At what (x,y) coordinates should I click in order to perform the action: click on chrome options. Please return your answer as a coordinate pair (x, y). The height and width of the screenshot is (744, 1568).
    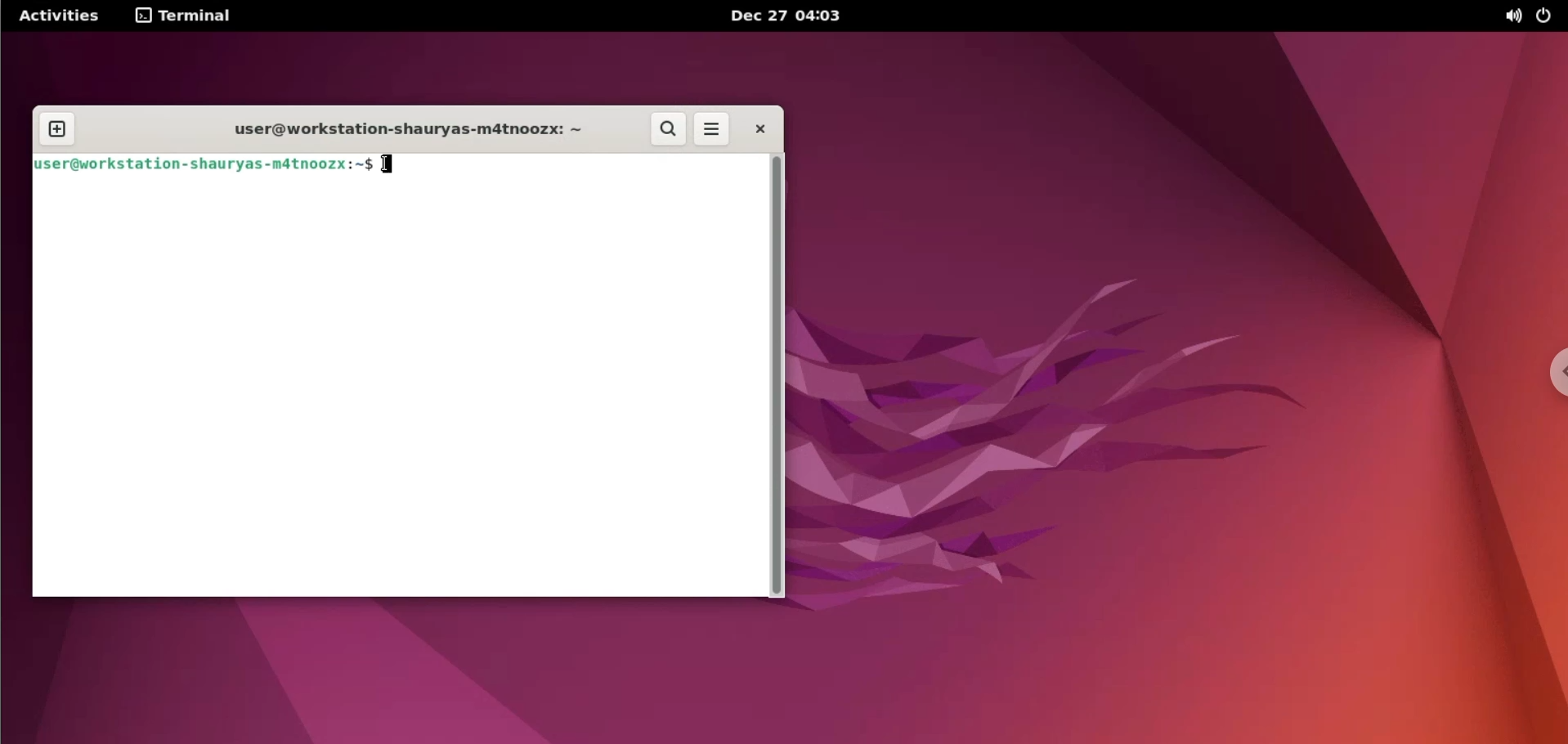
    Looking at the image, I should click on (1553, 374).